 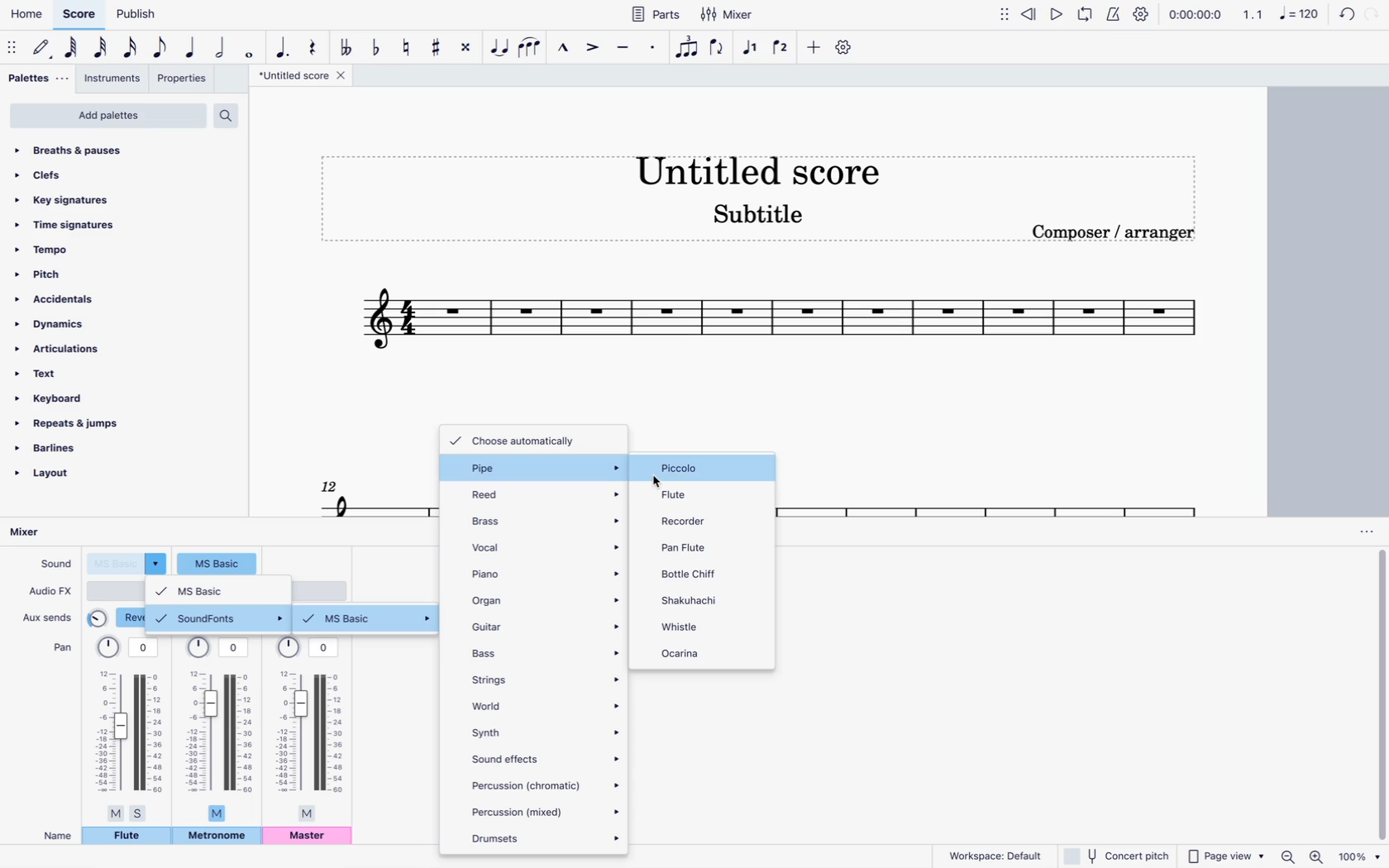 What do you see at coordinates (43, 48) in the screenshot?
I see `default` at bounding box center [43, 48].